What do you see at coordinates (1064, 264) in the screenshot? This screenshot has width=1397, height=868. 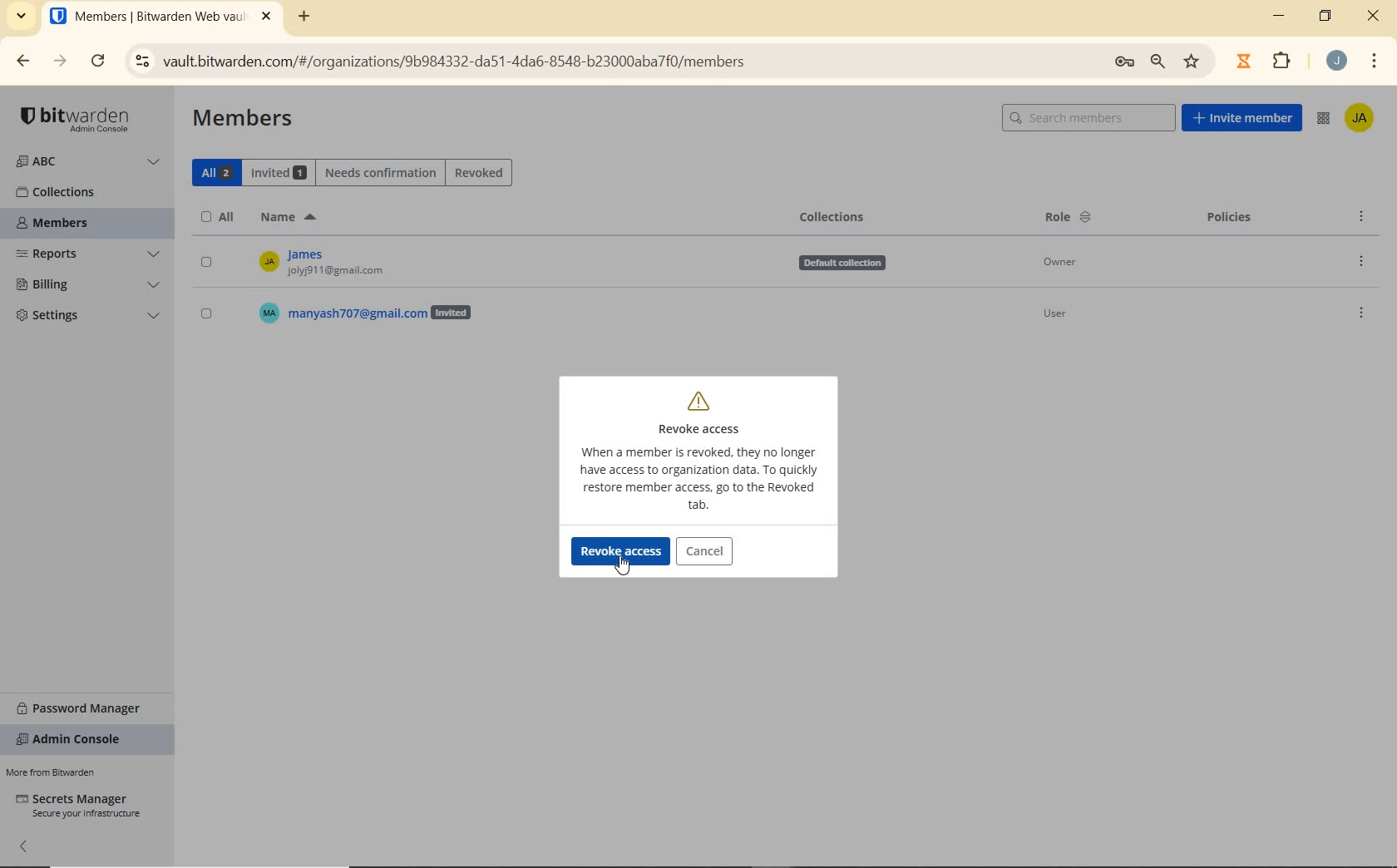 I see `Owner` at bounding box center [1064, 264].